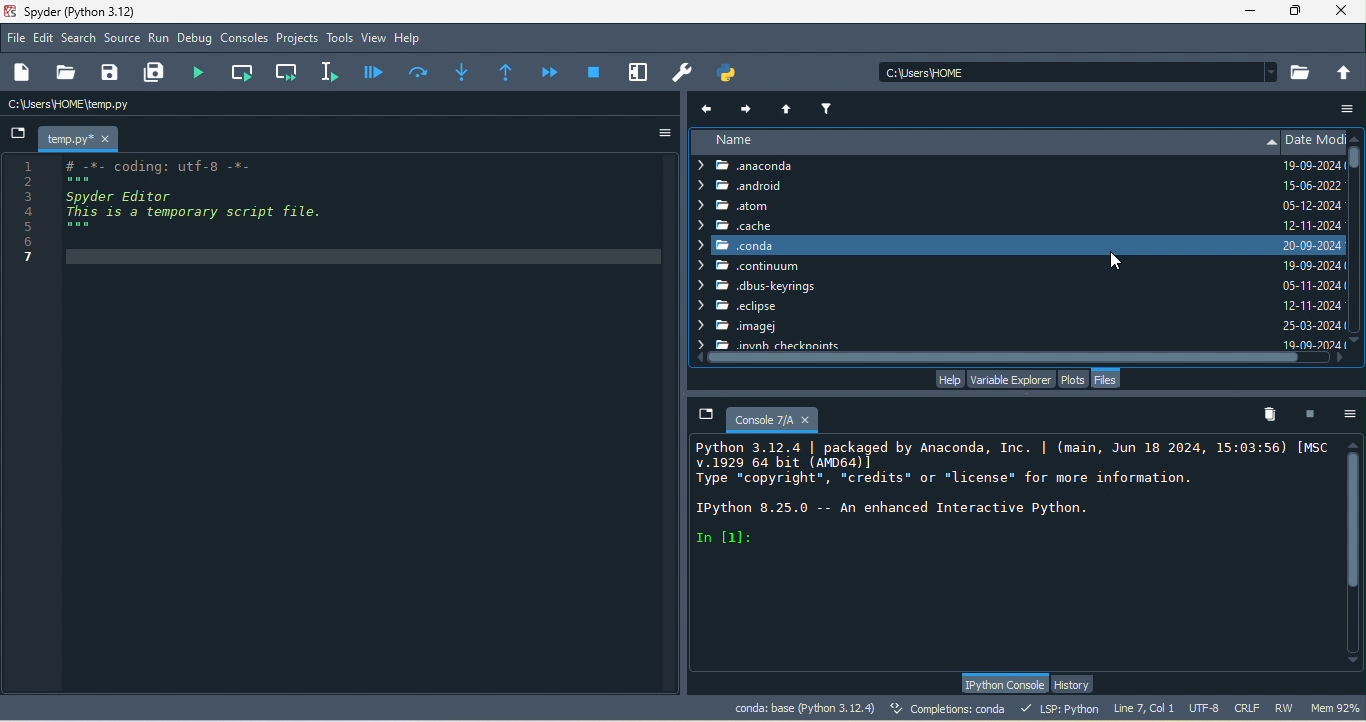 The width and height of the screenshot is (1366, 722). Describe the element at coordinates (829, 106) in the screenshot. I see `filter` at that location.